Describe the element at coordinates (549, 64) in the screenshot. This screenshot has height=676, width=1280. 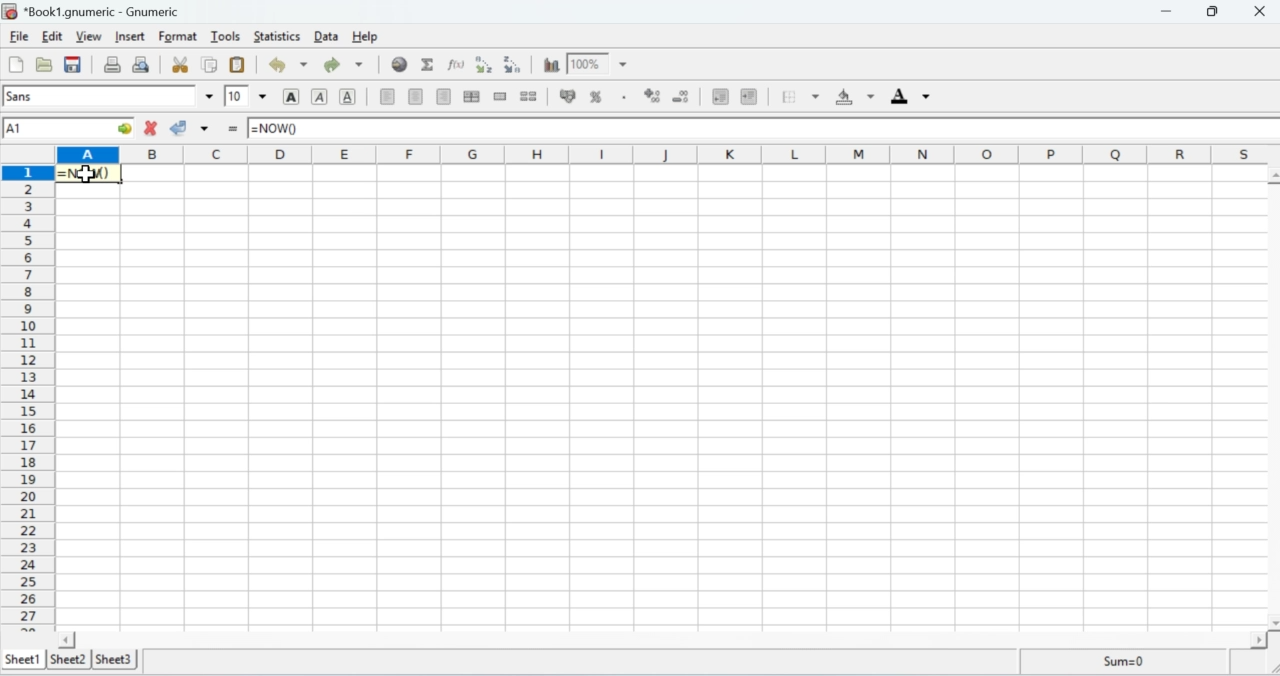
I see `Chart` at that location.